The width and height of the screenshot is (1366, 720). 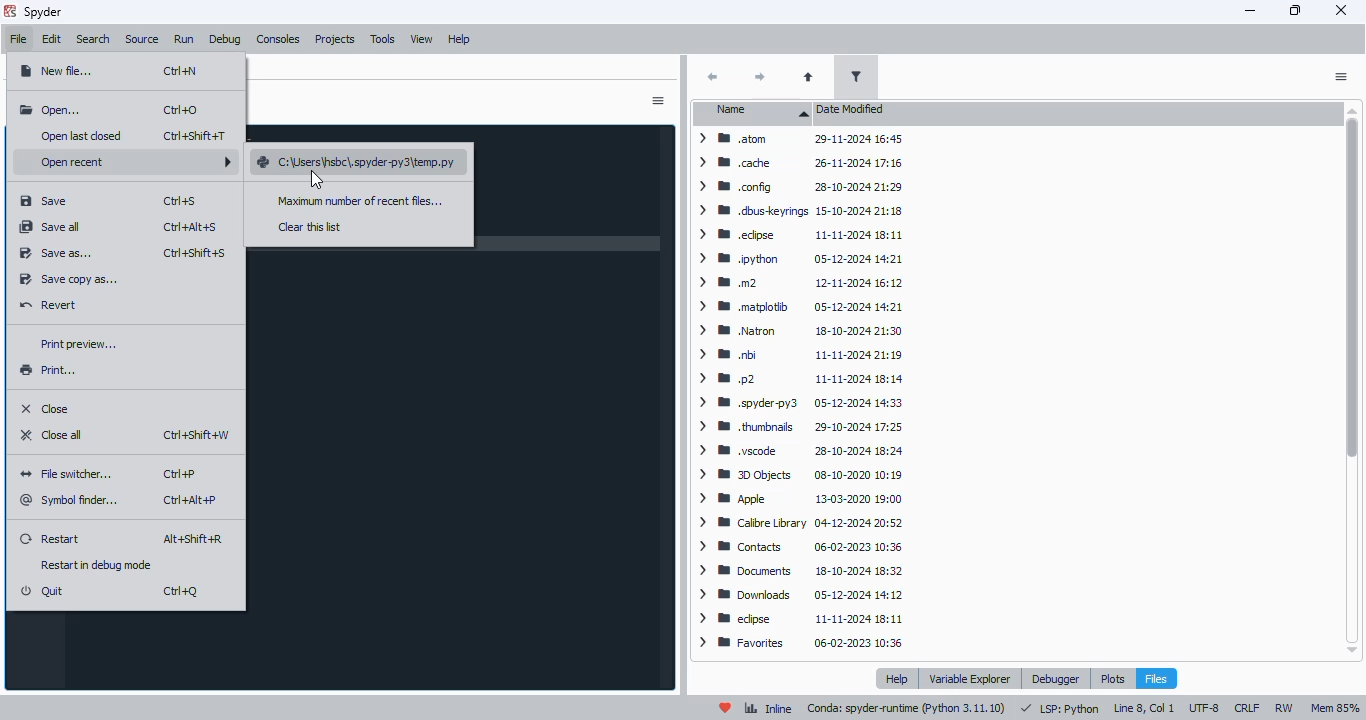 I want to click on shortcut for file switcher, so click(x=180, y=475).